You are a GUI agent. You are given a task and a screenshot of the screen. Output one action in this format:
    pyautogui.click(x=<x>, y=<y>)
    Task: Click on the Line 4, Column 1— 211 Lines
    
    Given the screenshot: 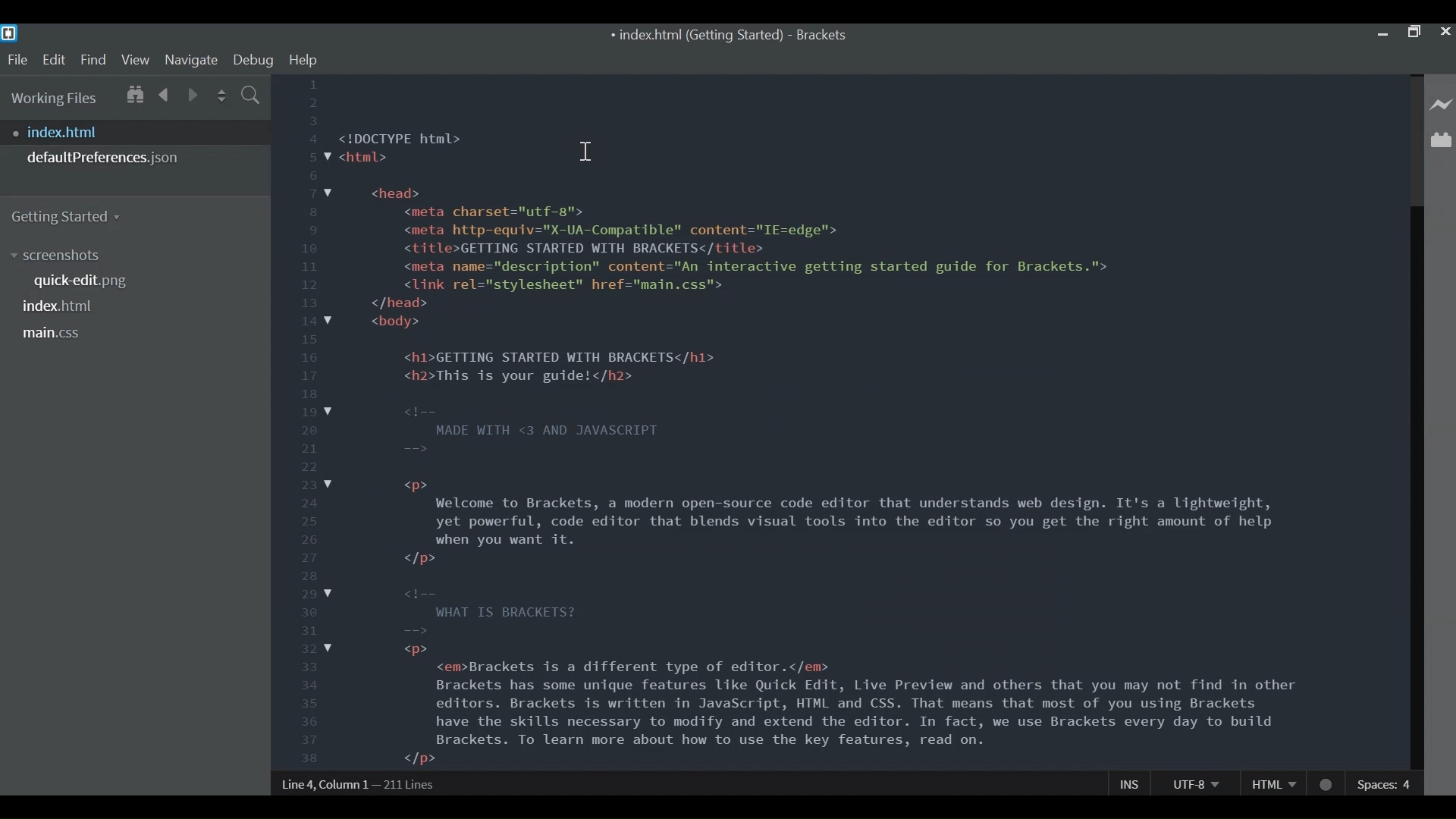 What is the action you would take?
    pyautogui.click(x=359, y=784)
    